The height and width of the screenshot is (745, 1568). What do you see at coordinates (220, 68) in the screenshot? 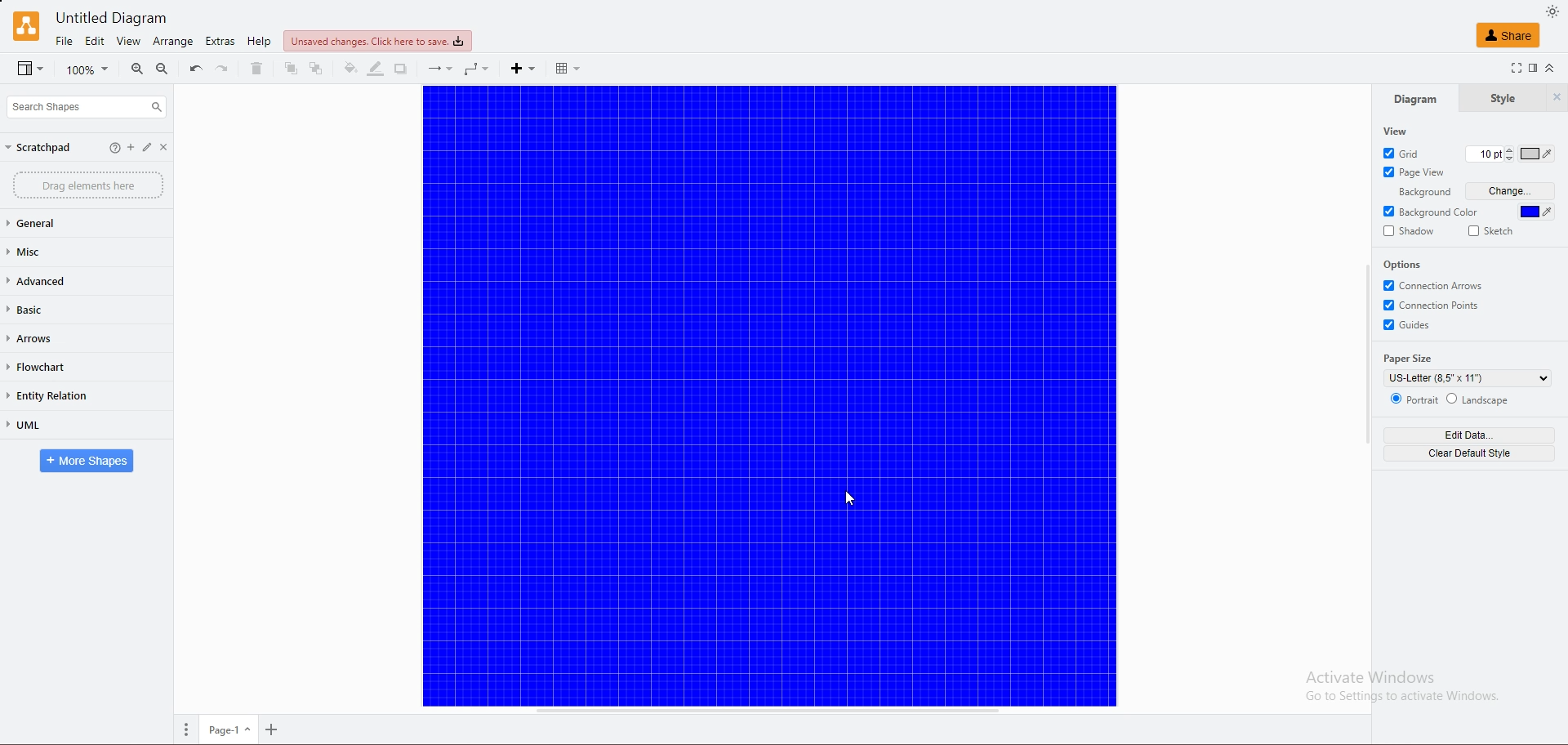
I see `redo` at bounding box center [220, 68].